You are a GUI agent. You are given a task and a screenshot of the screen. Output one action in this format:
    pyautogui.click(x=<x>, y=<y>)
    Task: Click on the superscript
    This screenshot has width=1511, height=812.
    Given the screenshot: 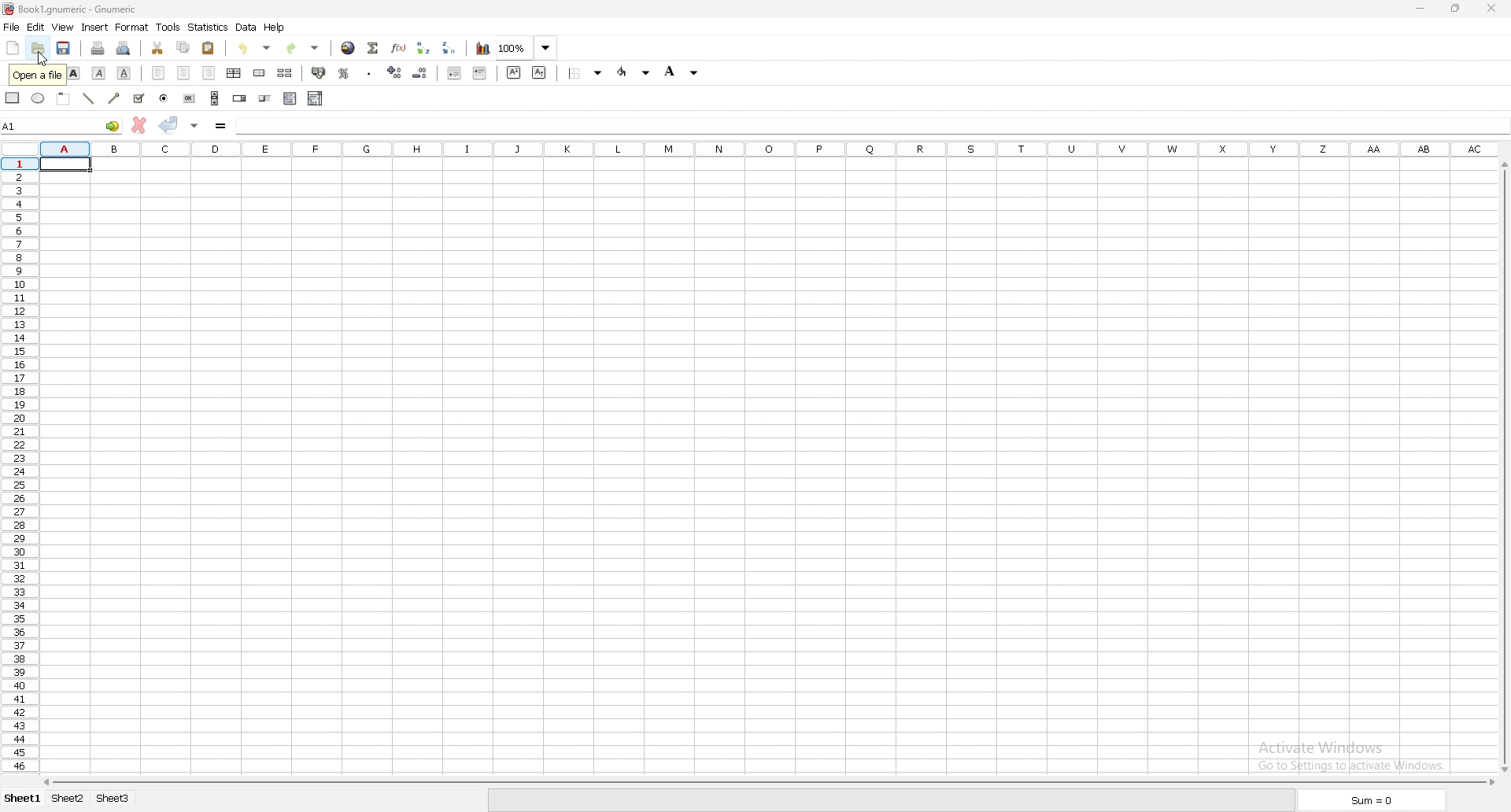 What is the action you would take?
    pyautogui.click(x=514, y=72)
    